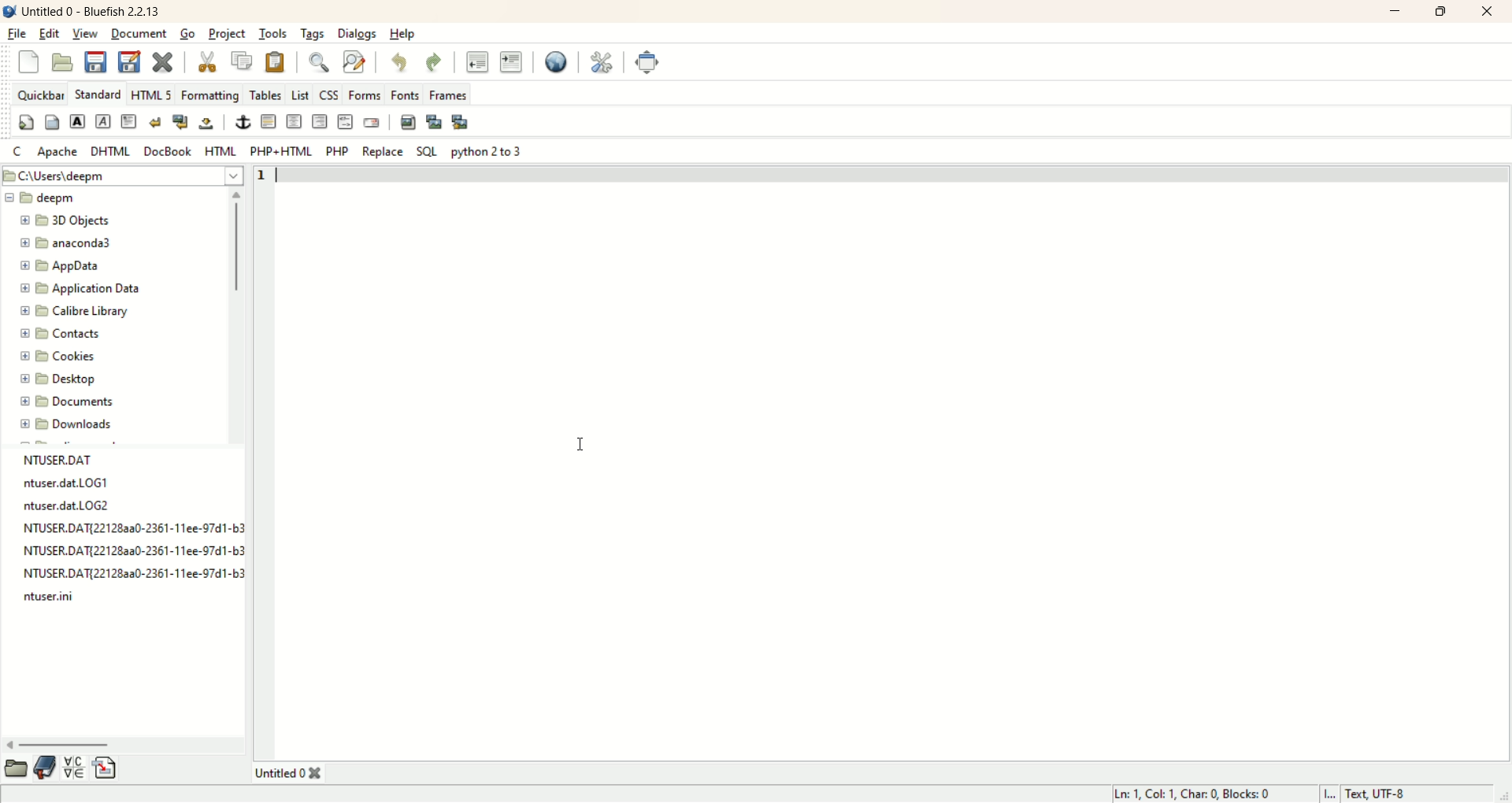 The height and width of the screenshot is (803, 1512). Describe the element at coordinates (1416, 794) in the screenshot. I see `text UTF-8` at that location.